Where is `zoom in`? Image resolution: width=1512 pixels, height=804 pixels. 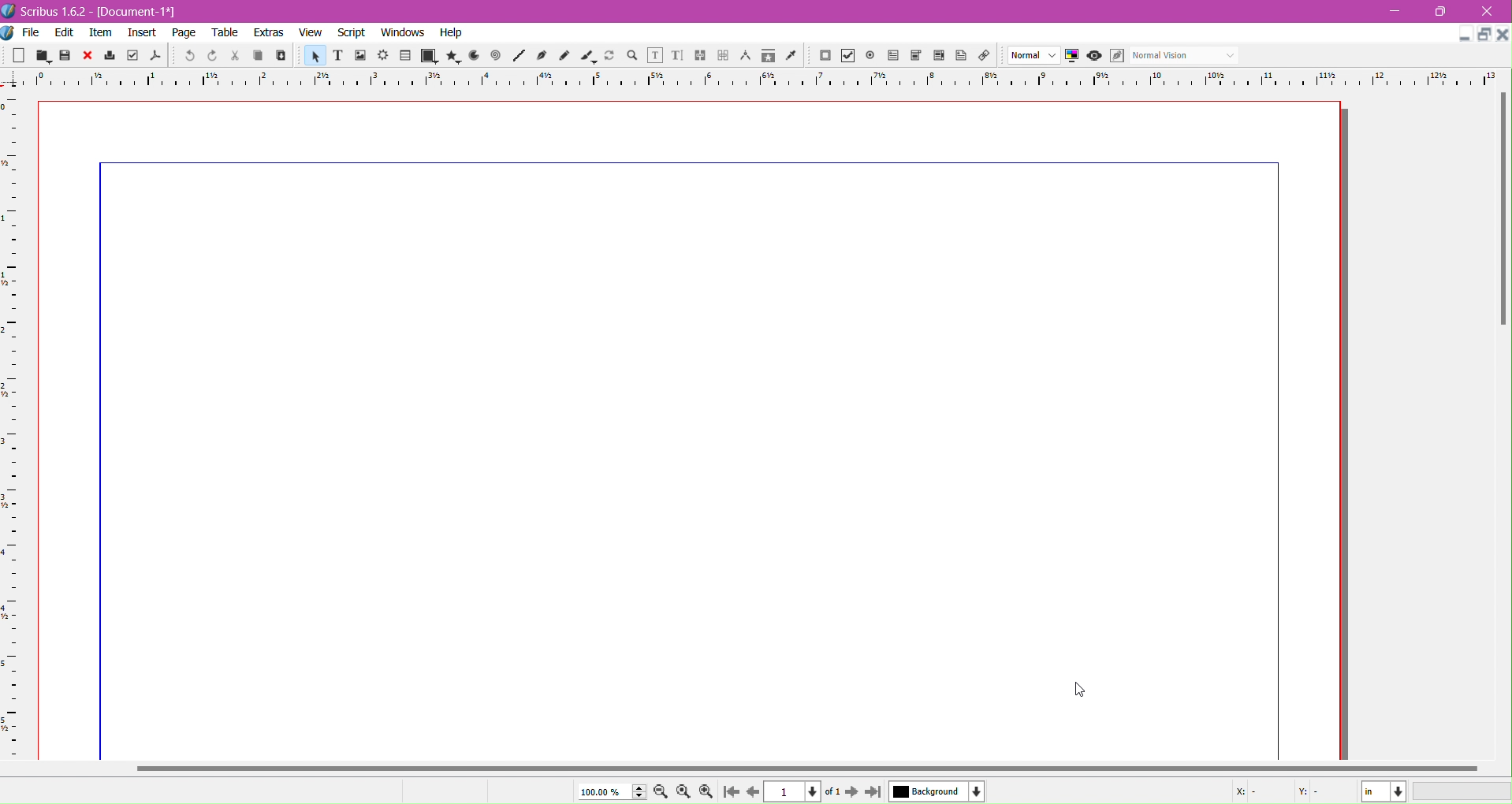 zoom in is located at coordinates (706, 792).